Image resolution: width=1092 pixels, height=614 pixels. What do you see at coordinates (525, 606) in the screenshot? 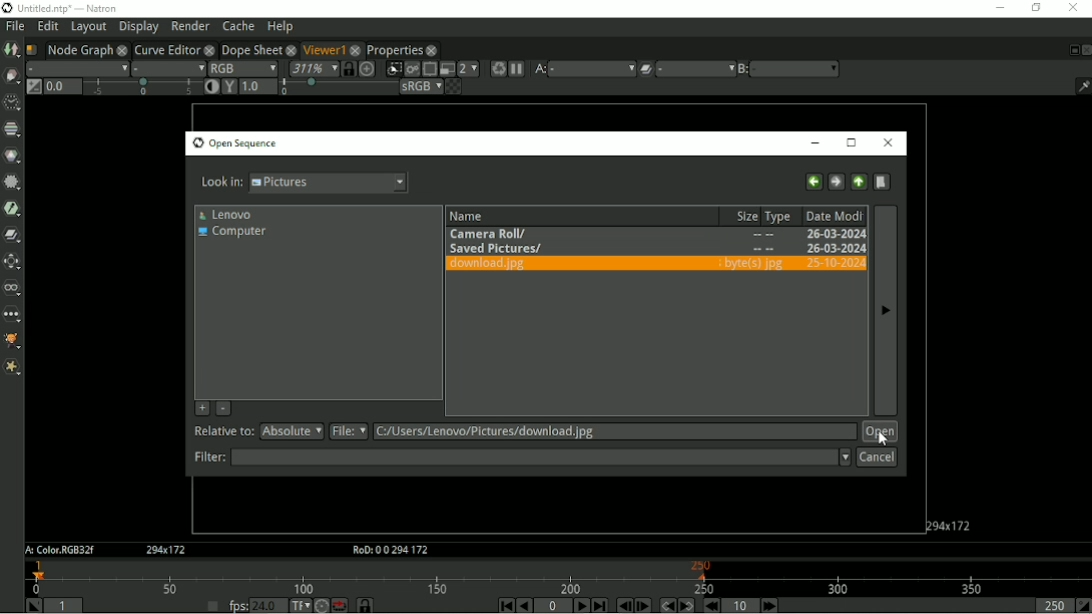
I see `Play backward` at bounding box center [525, 606].